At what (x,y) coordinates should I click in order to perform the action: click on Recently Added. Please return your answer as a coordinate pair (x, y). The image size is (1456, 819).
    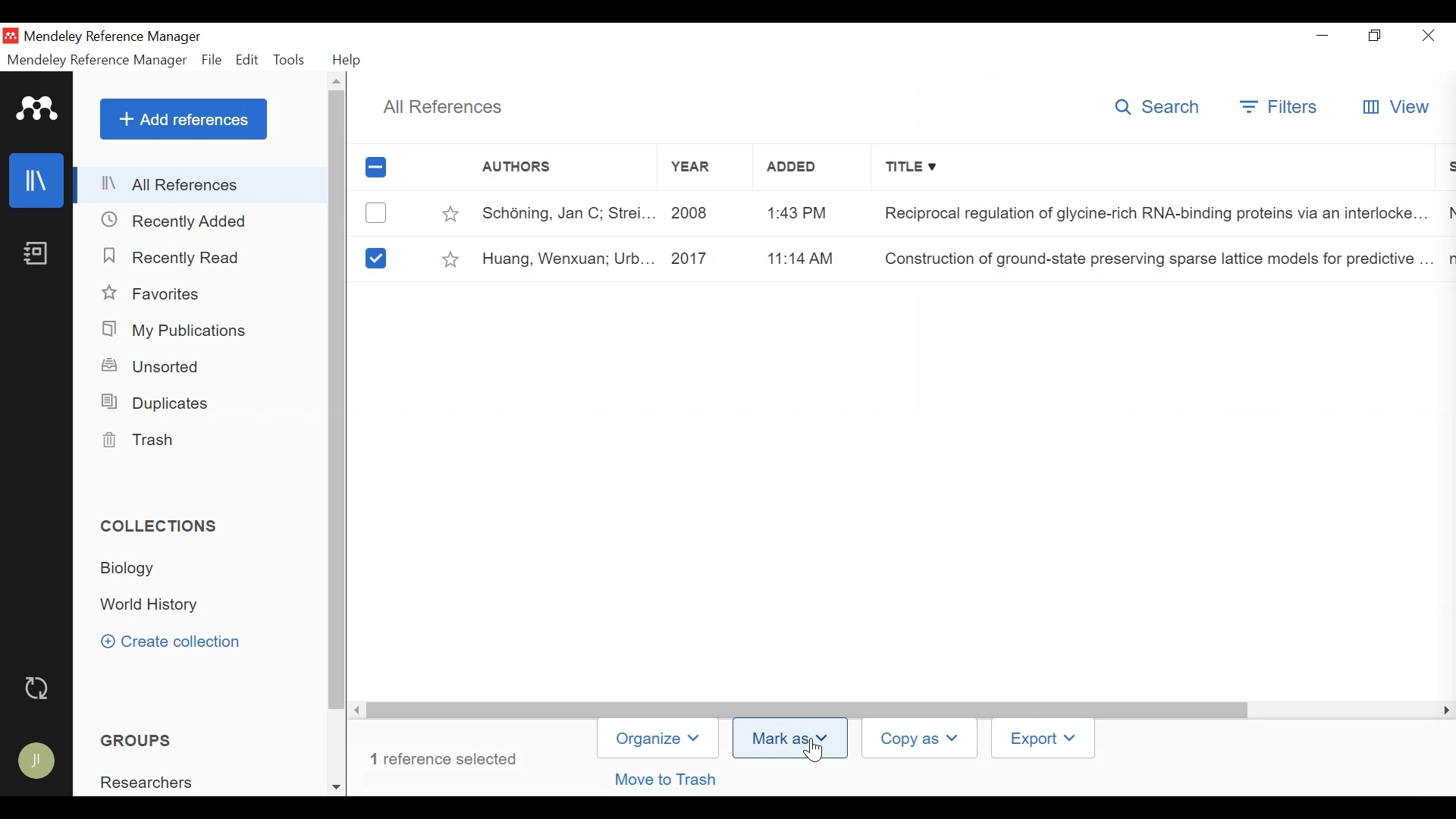
    Looking at the image, I should click on (183, 221).